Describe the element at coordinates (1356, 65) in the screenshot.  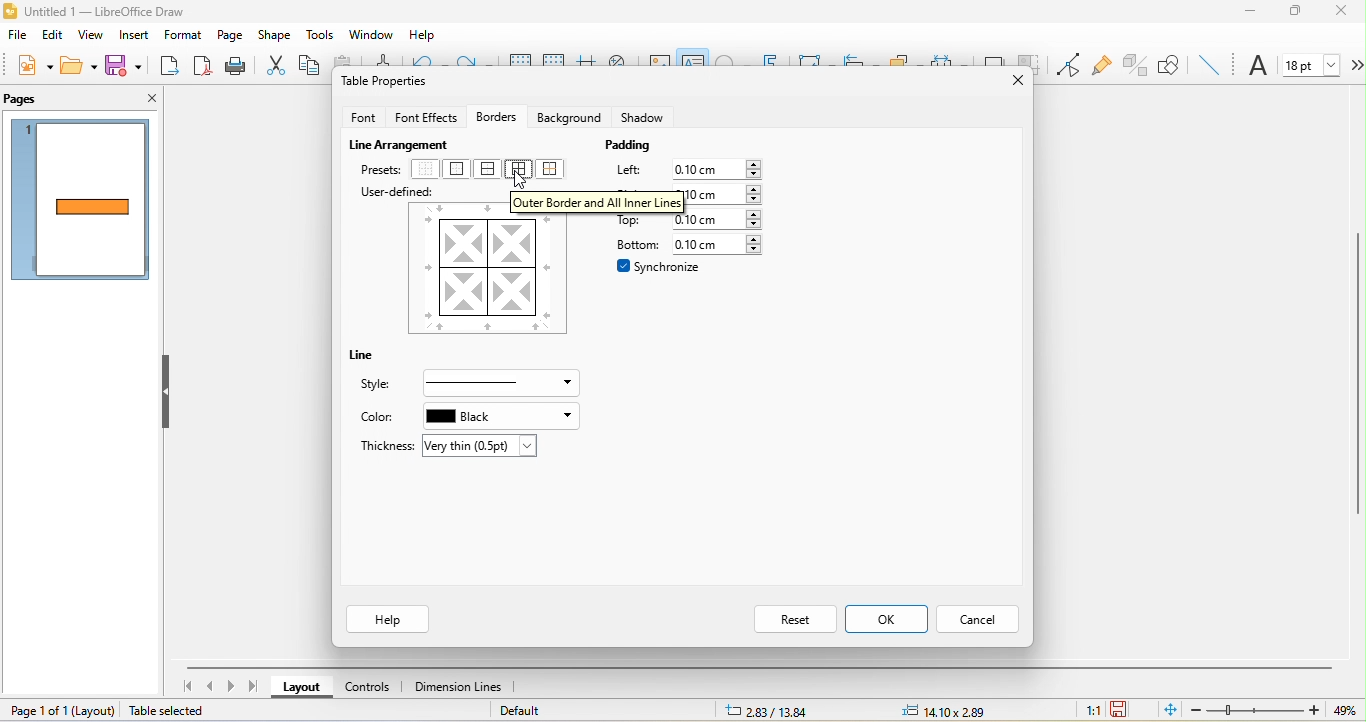
I see `more options` at that location.